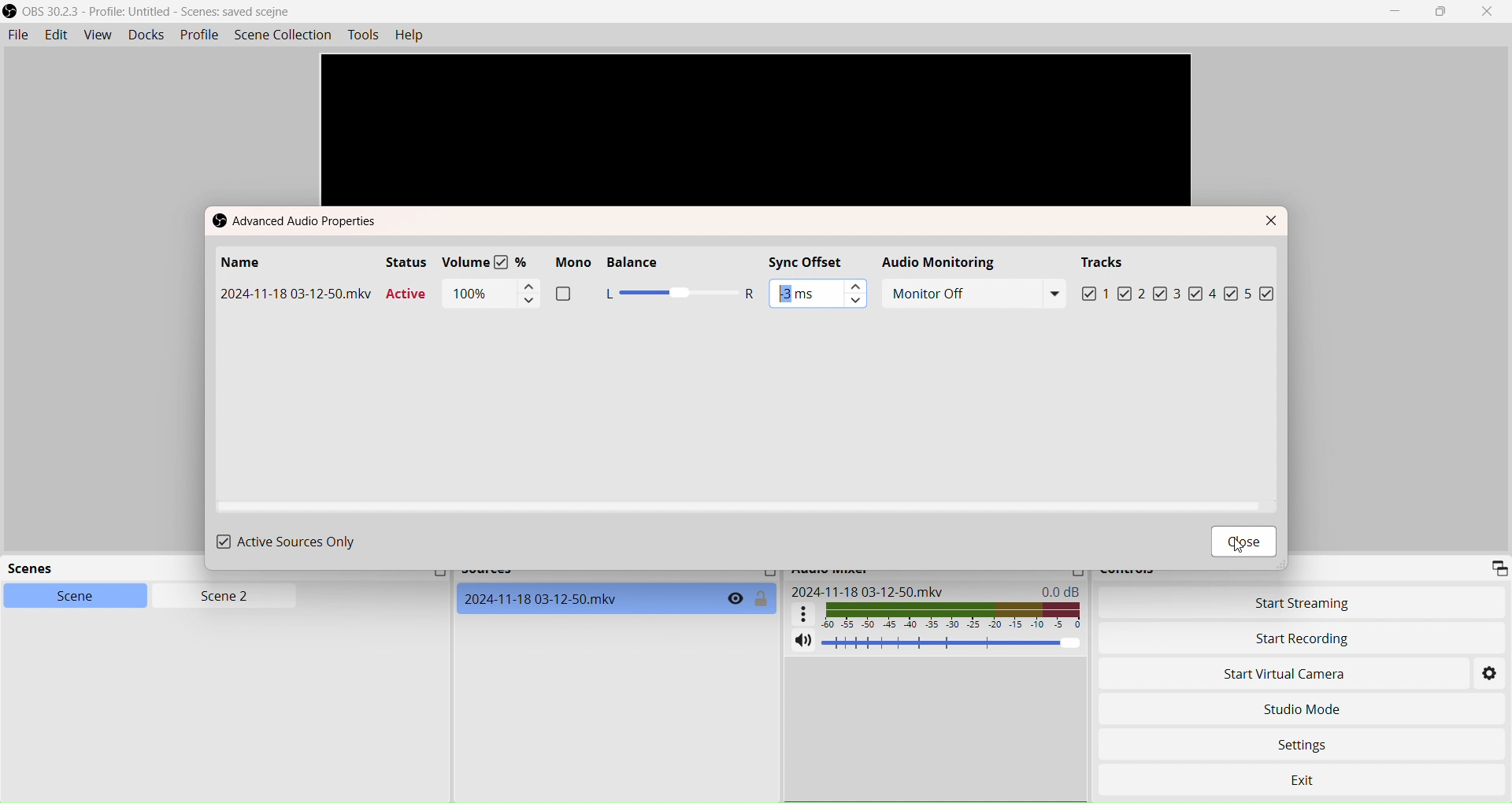  What do you see at coordinates (365, 35) in the screenshot?
I see `Tools` at bounding box center [365, 35].